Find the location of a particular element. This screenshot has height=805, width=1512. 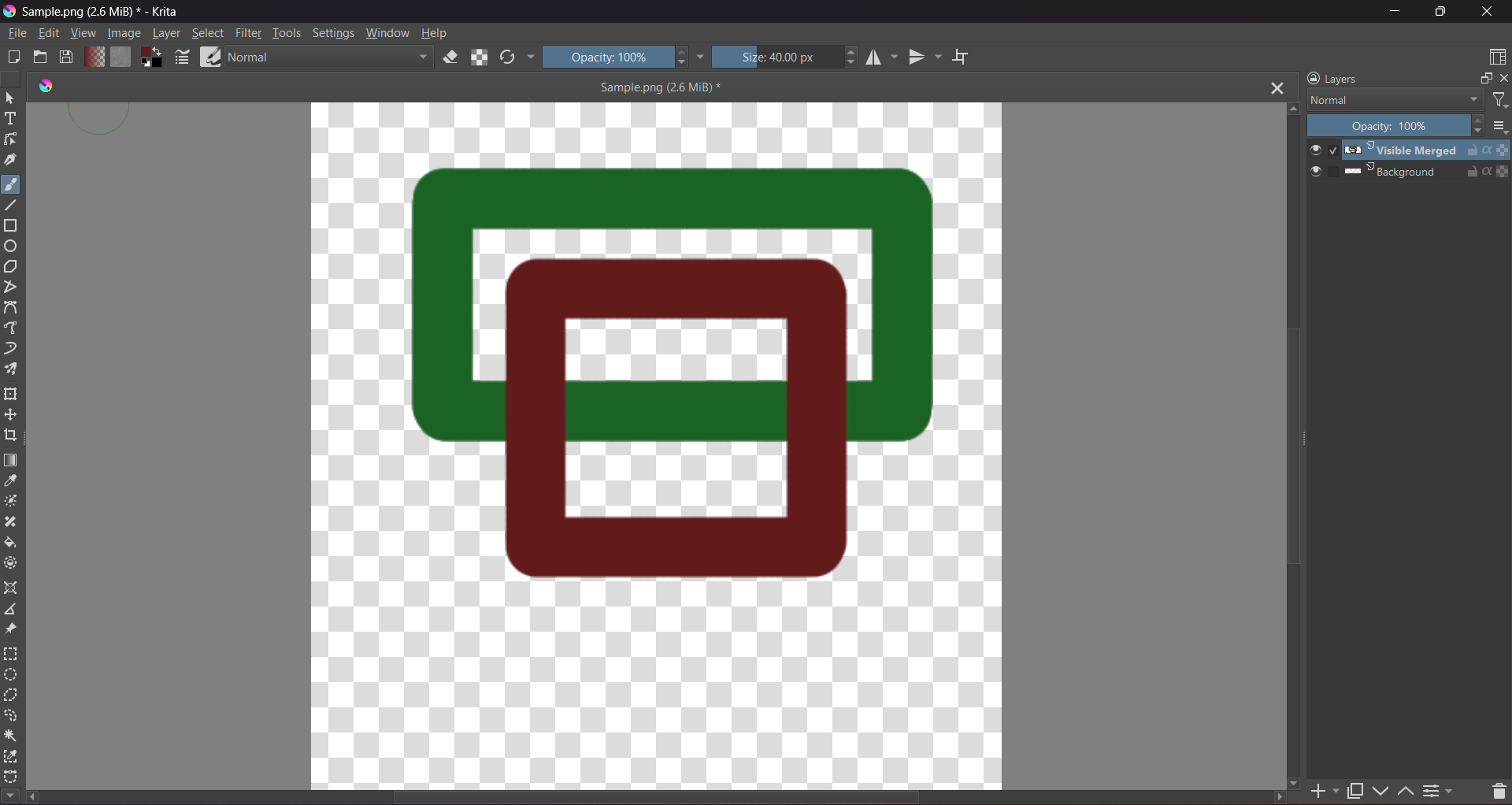

Colorize Mask is located at coordinates (14, 502).